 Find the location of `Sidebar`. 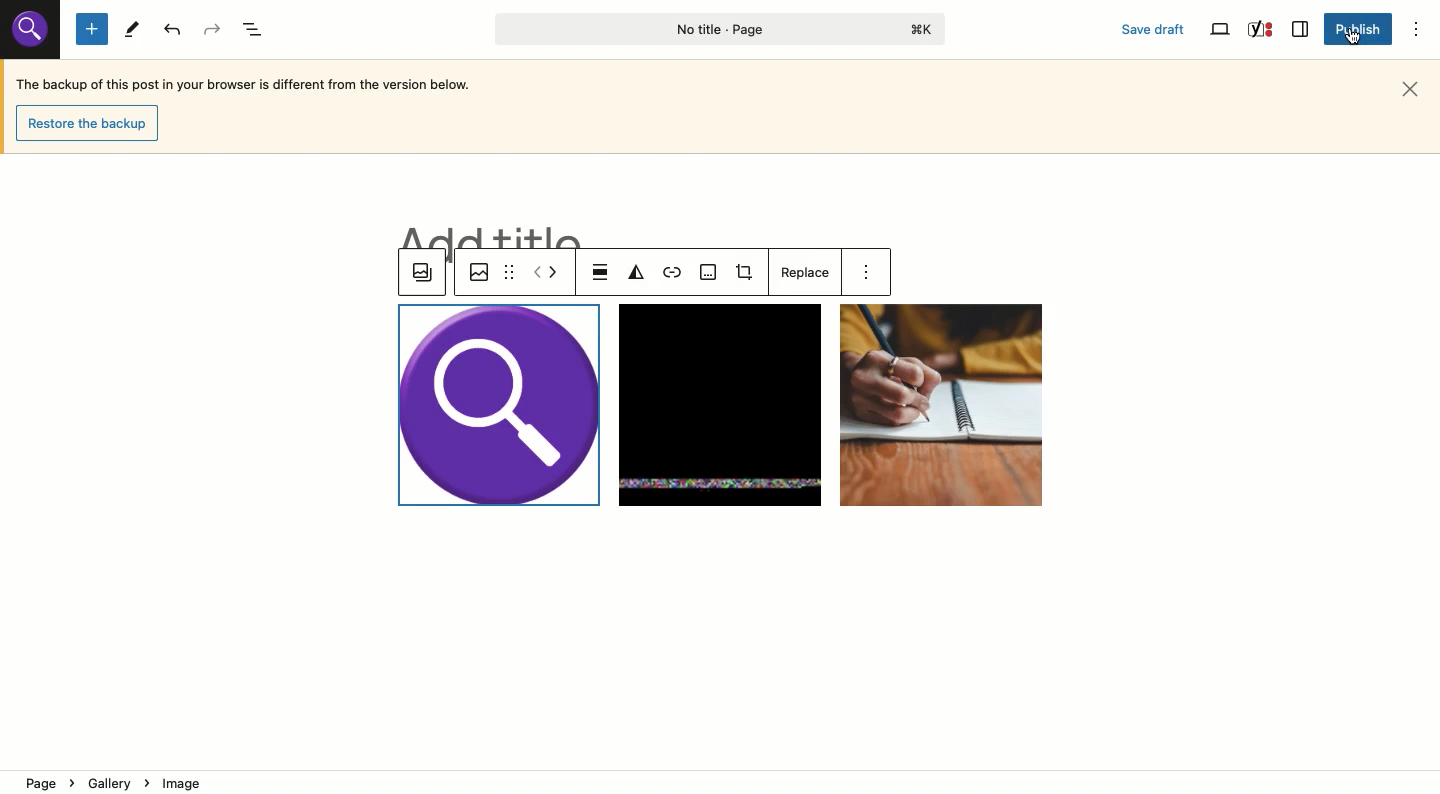

Sidebar is located at coordinates (1299, 30).